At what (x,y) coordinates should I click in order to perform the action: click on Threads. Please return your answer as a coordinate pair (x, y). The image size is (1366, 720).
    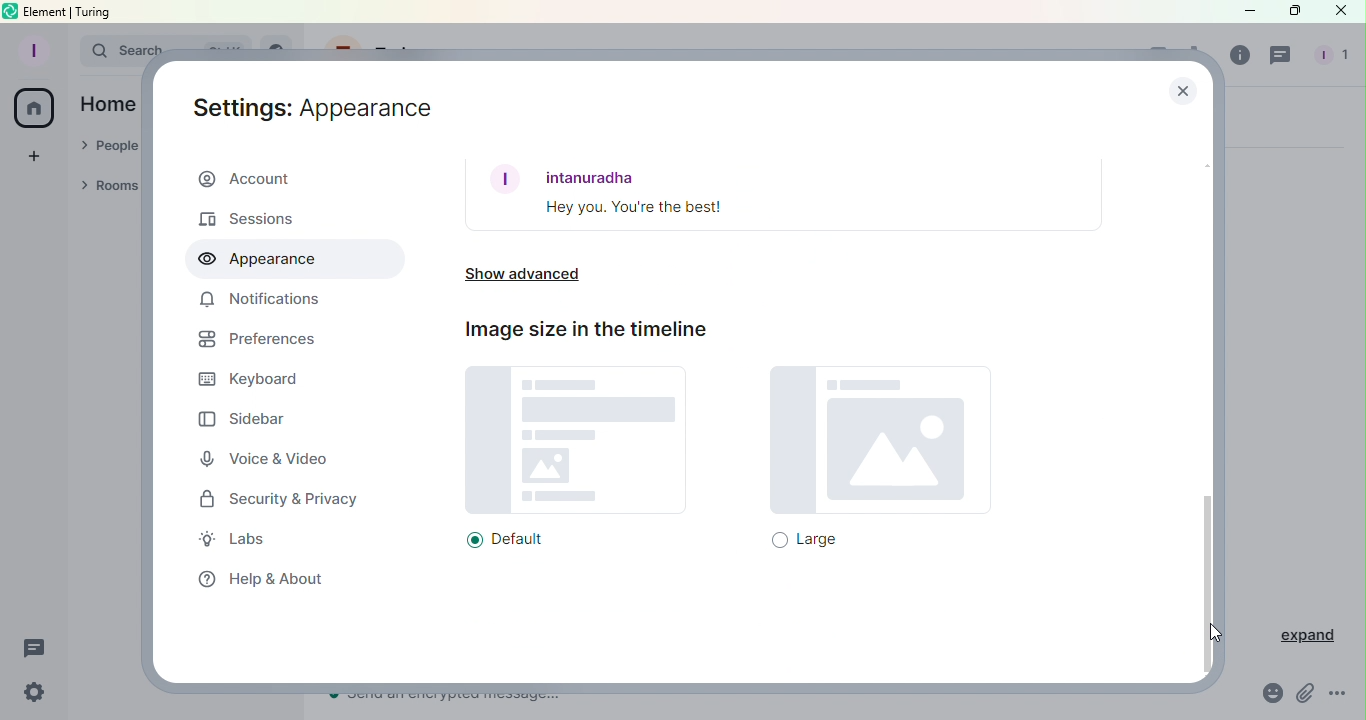
    Looking at the image, I should click on (35, 649).